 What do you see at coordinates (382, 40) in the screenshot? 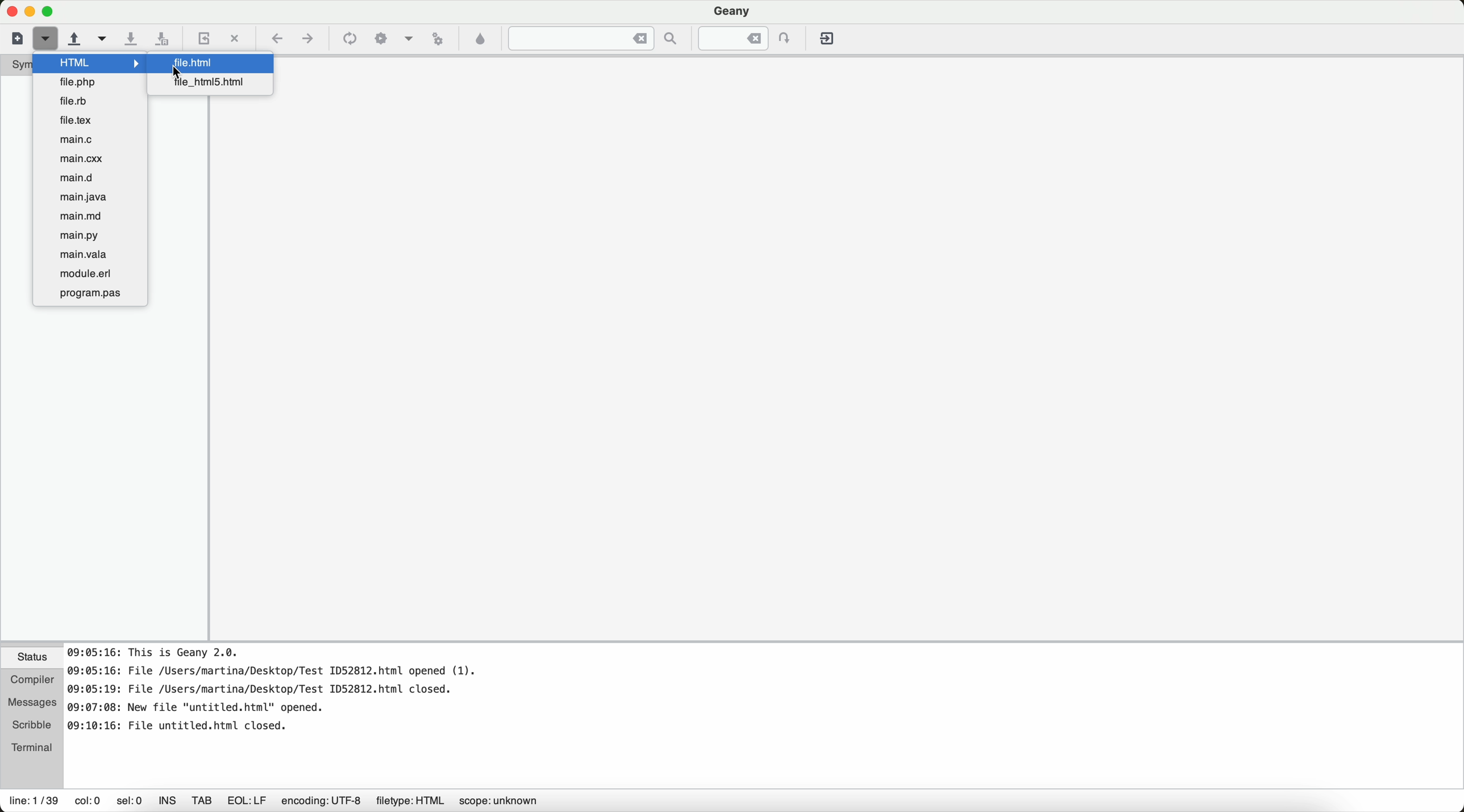
I see `build the current file` at bounding box center [382, 40].